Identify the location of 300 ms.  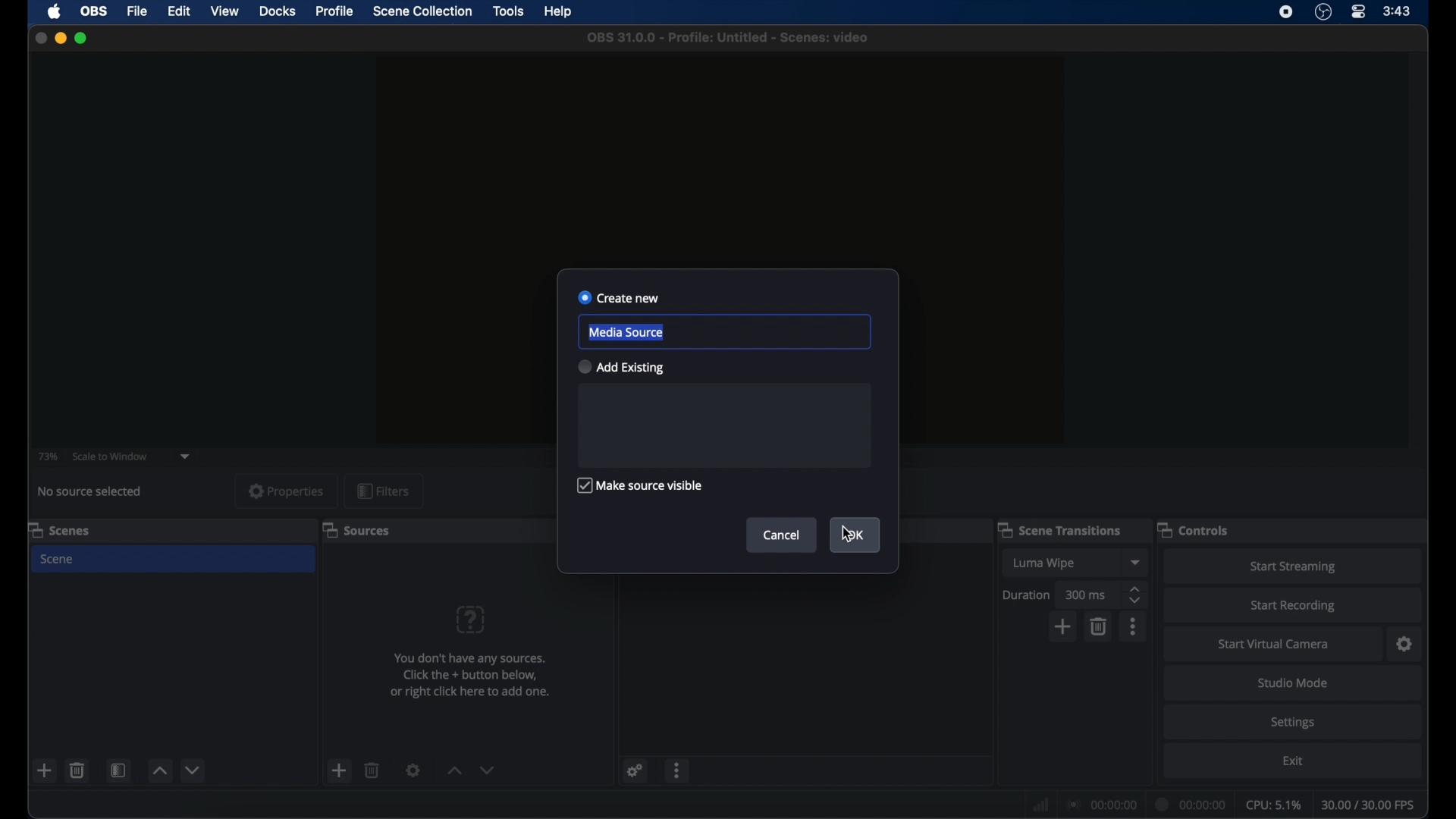
(1087, 594).